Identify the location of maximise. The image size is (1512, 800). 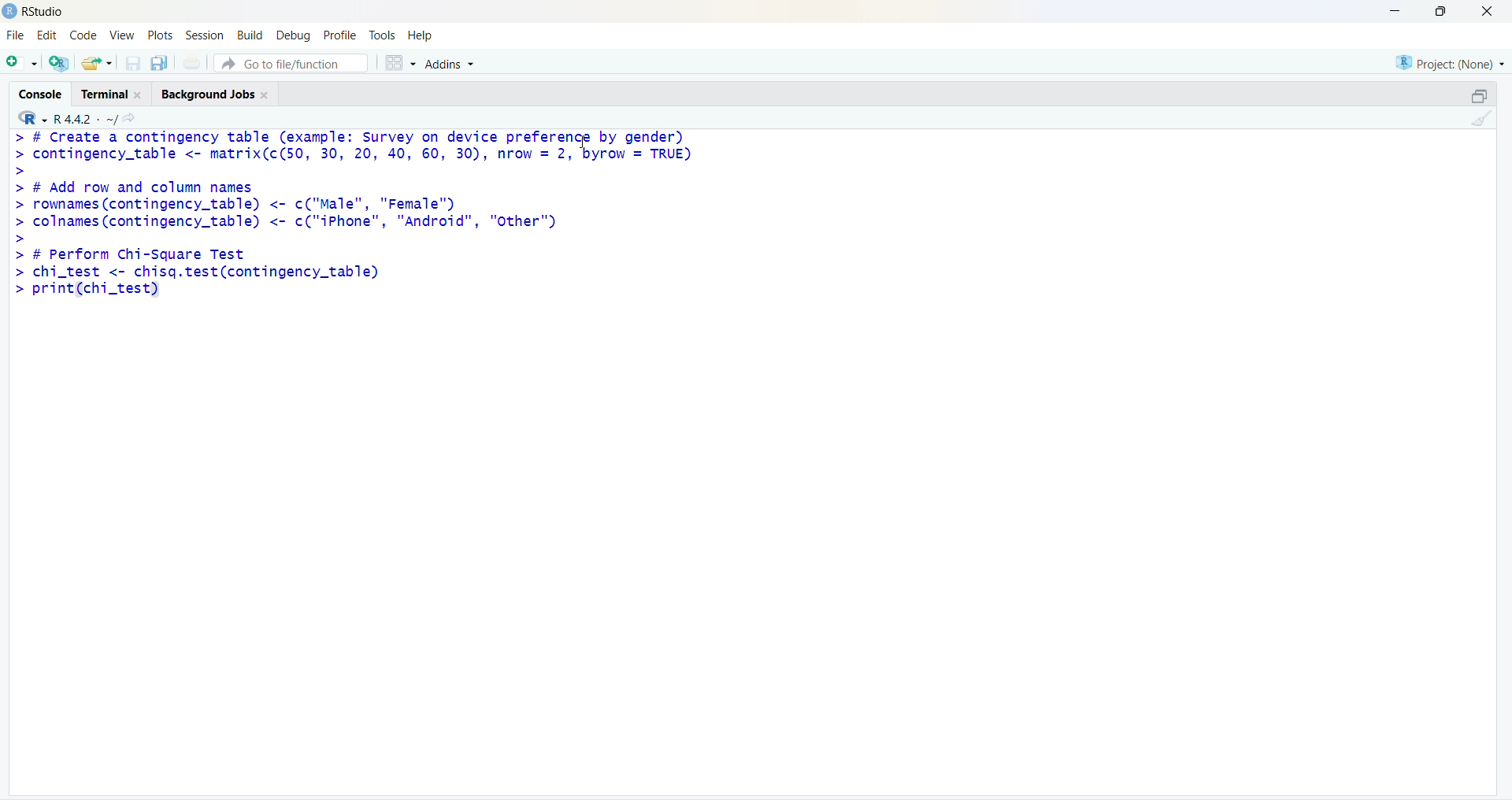
(1441, 11).